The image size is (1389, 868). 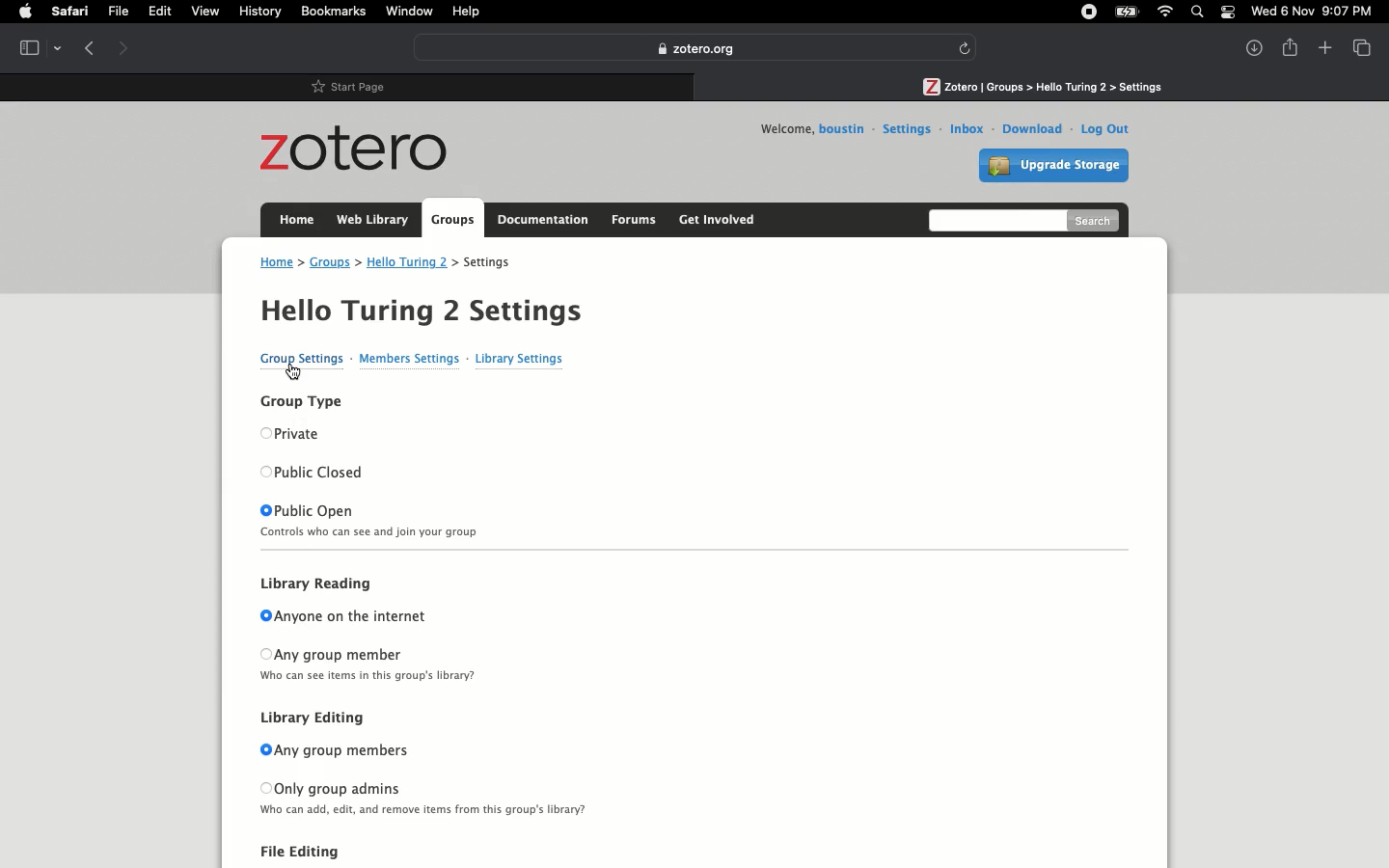 I want to click on Help, so click(x=467, y=12).